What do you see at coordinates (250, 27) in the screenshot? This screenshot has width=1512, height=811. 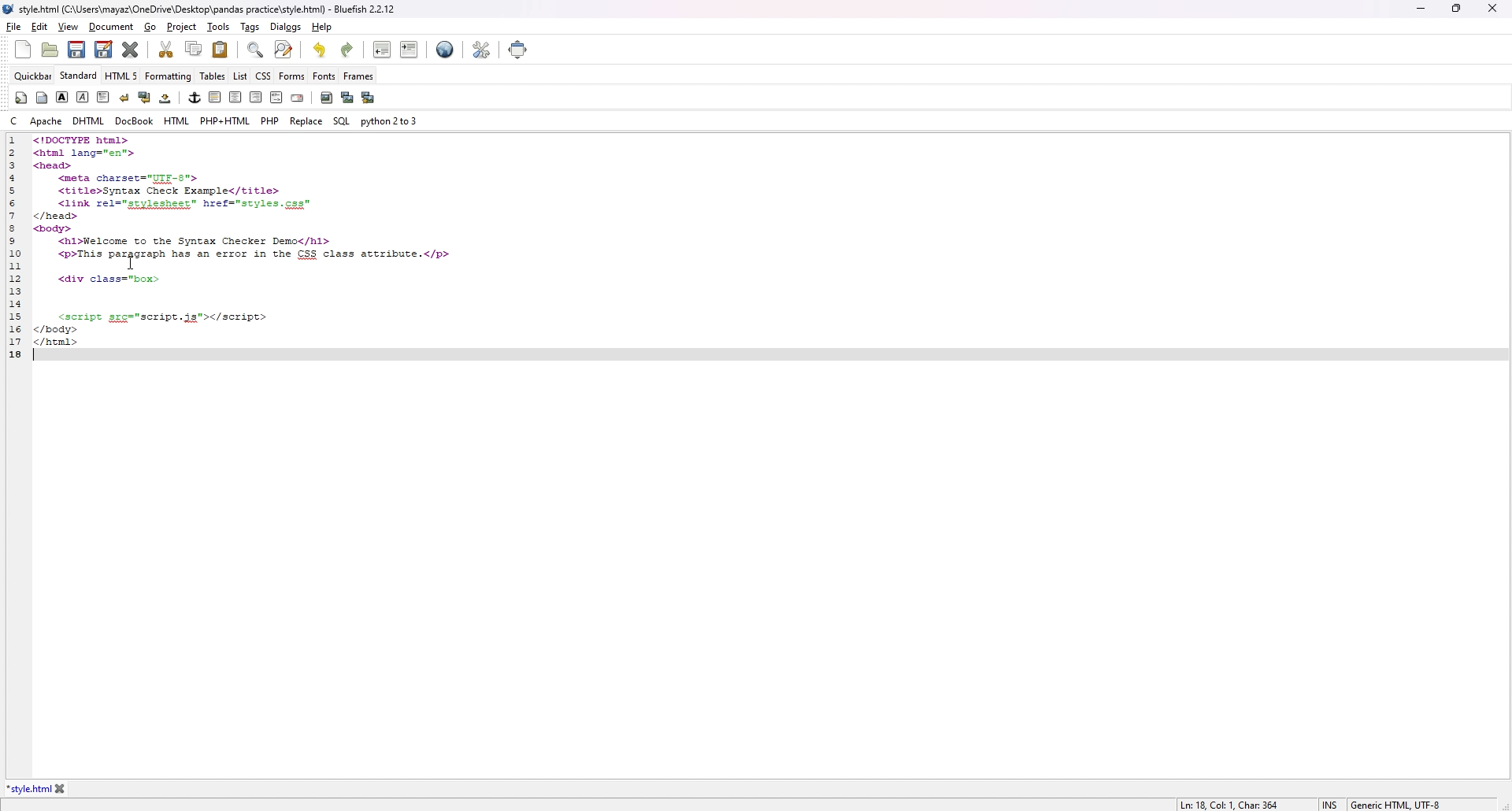 I see `tags` at bounding box center [250, 27].